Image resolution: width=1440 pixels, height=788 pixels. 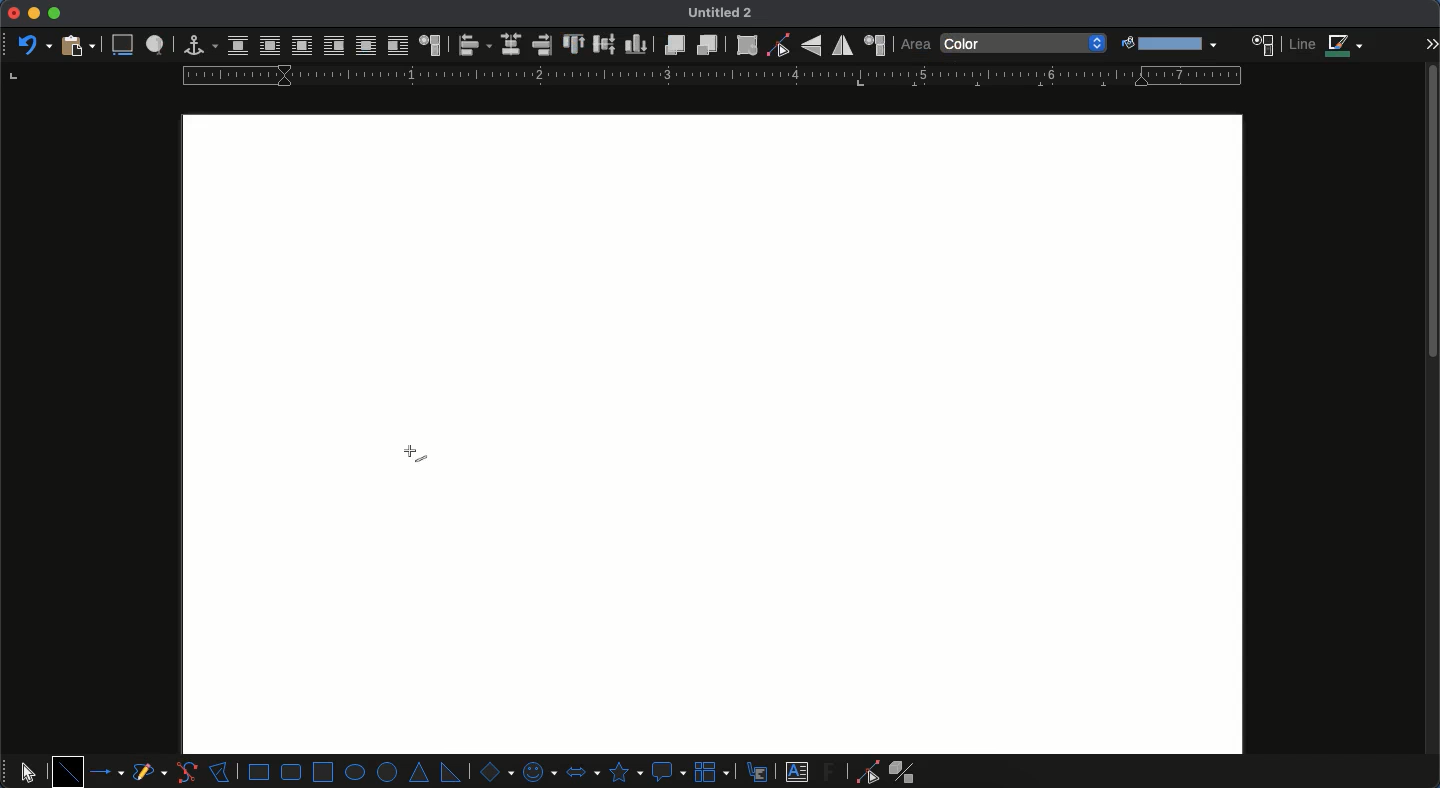 What do you see at coordinates (832, 771) in the screenshot?
I see `footwork text` at bounding box center [832, 771].